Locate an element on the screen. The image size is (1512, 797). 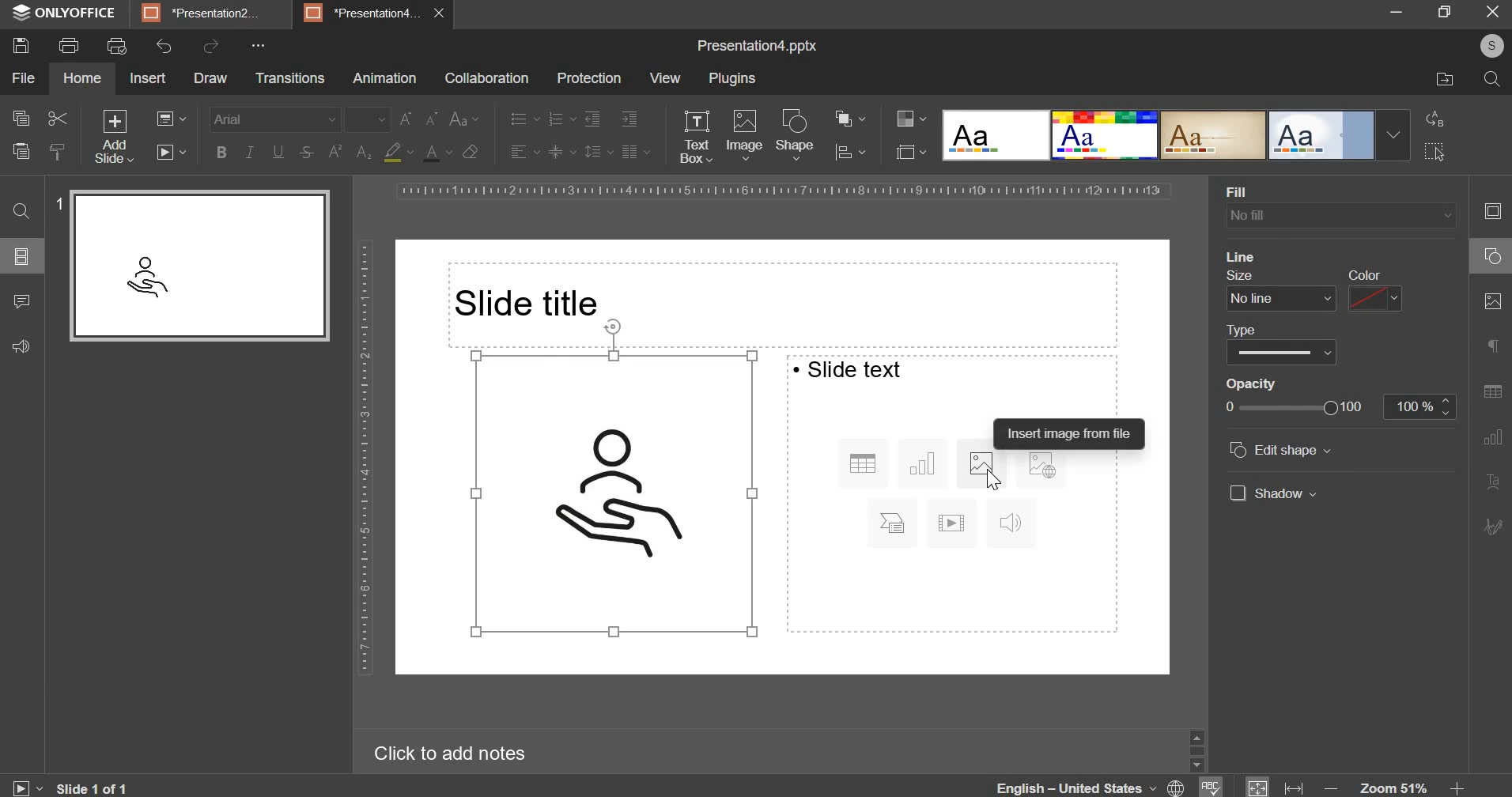
type is located at coordinates (1244, 330).